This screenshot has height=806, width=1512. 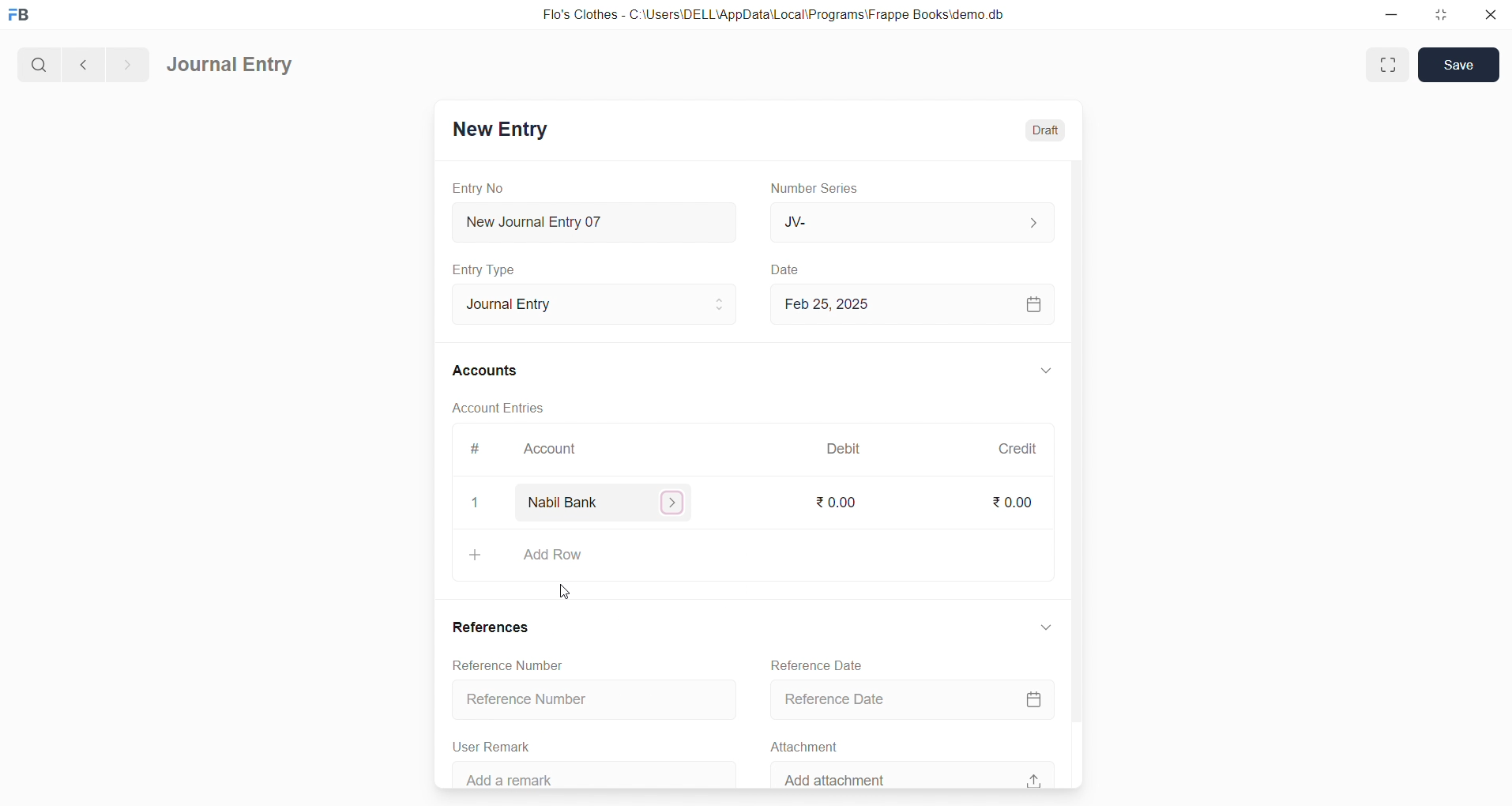 What do you see at coordinates (910, 223) in the screenshot?
I see `JV-` at bounding box center [910, 223].